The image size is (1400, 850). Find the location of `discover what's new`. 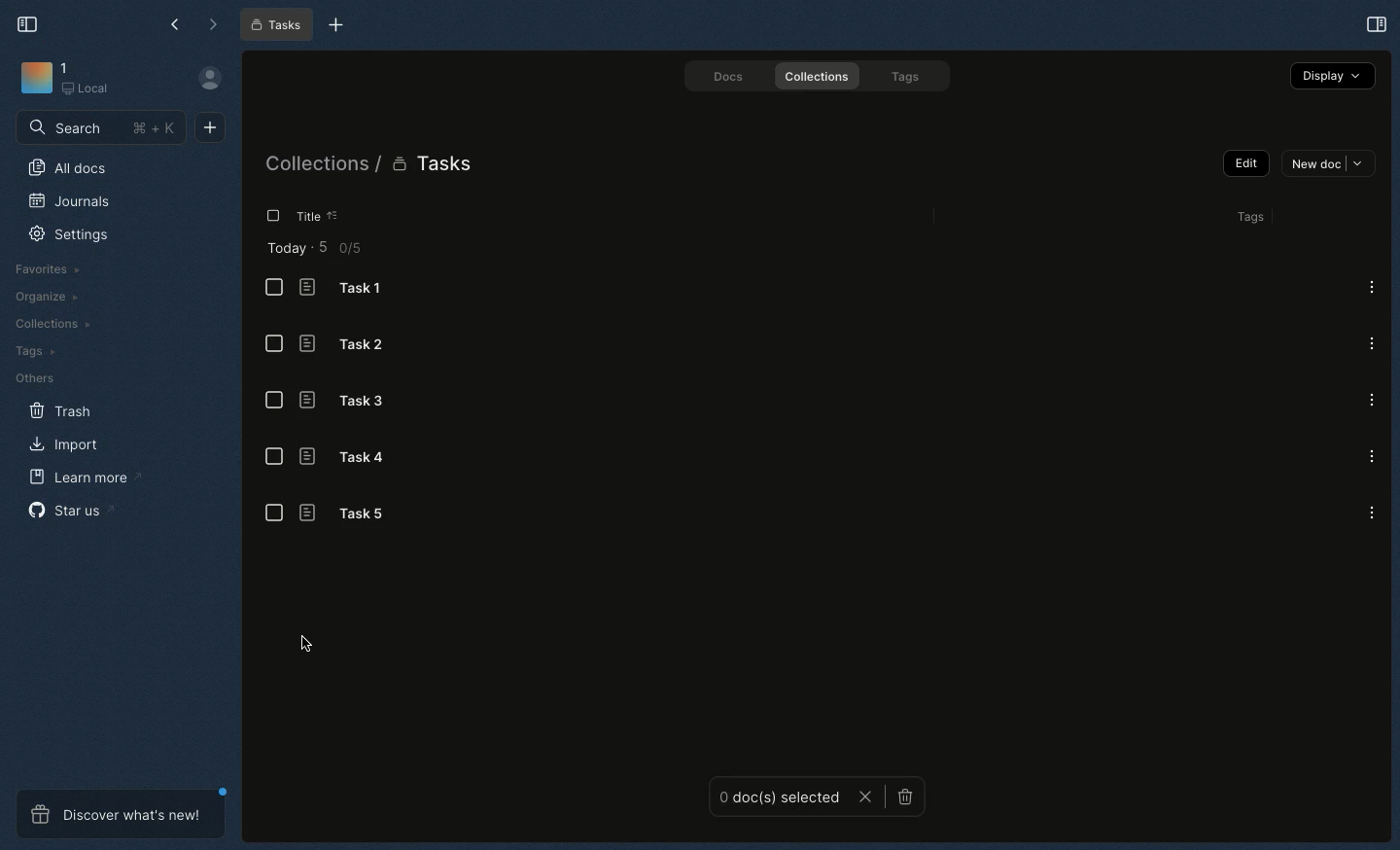

discover what's new is located at coordinates (120, 815).